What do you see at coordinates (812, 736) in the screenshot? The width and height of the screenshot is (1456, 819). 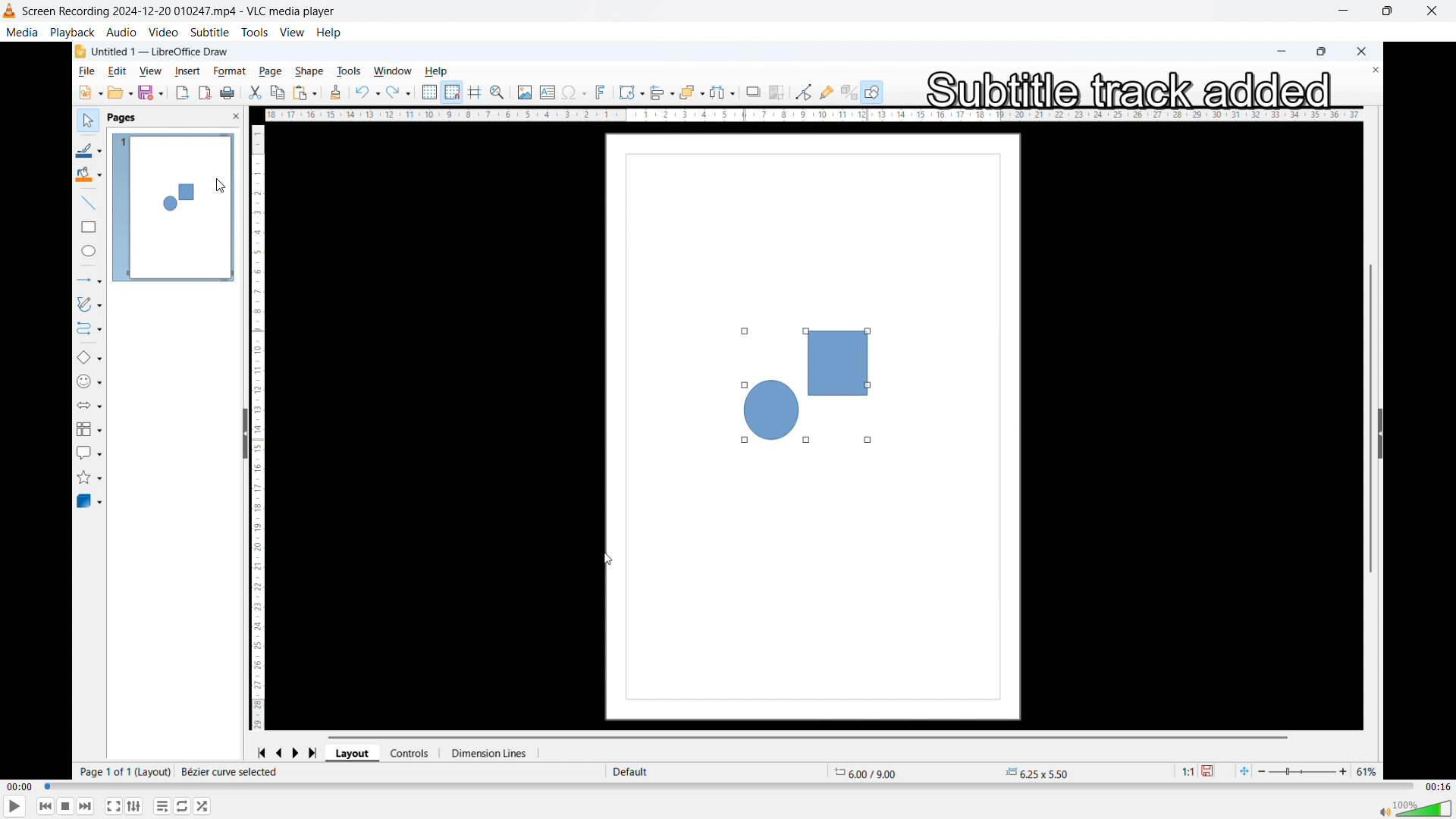 I see `horizontal scroll bar` at bounding box center [812, 736].